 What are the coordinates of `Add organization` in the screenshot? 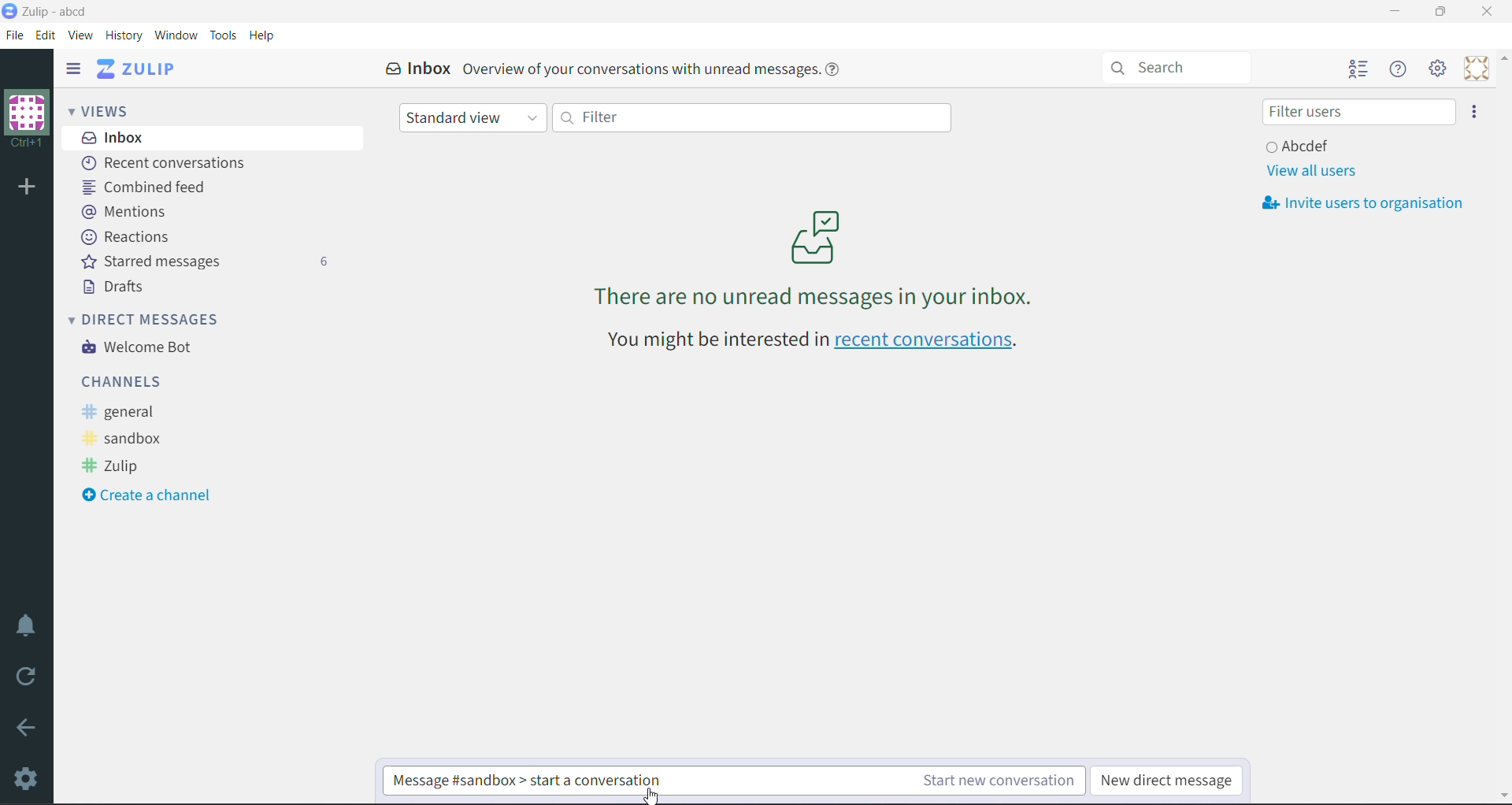 It's located at (25, 188).